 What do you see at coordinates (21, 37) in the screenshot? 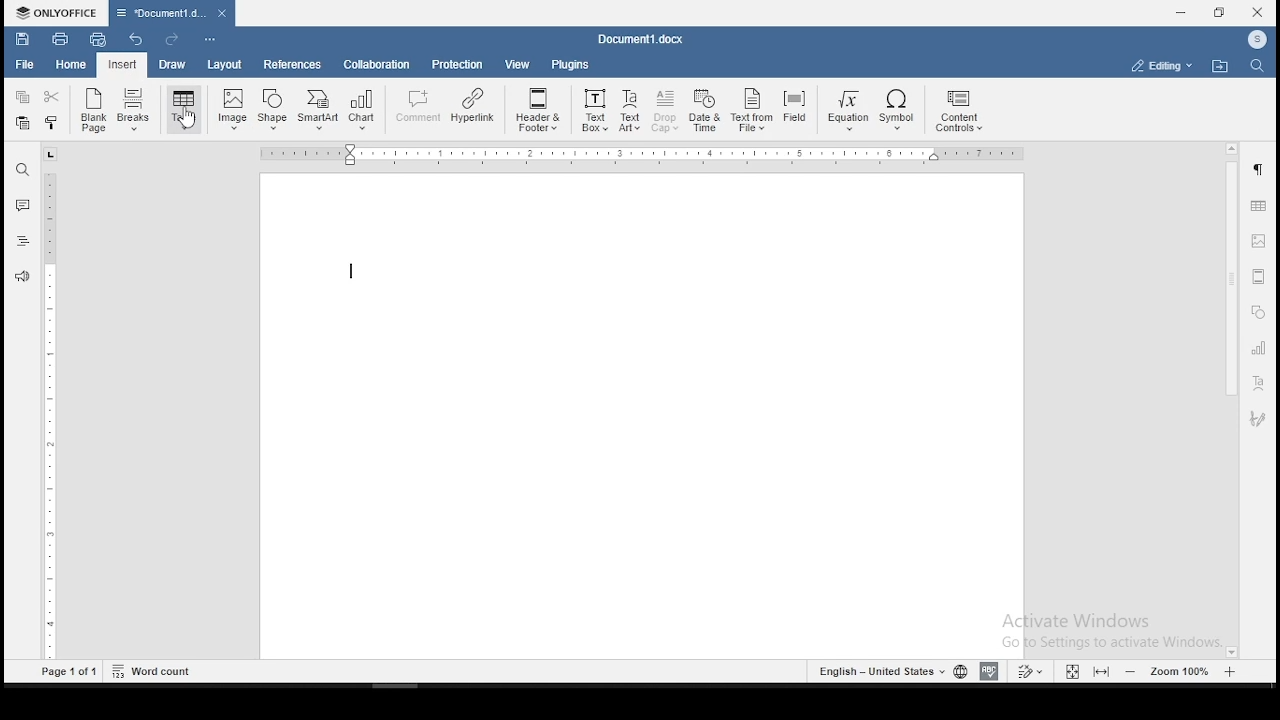
I see `save` at bounding box center [21, 37].